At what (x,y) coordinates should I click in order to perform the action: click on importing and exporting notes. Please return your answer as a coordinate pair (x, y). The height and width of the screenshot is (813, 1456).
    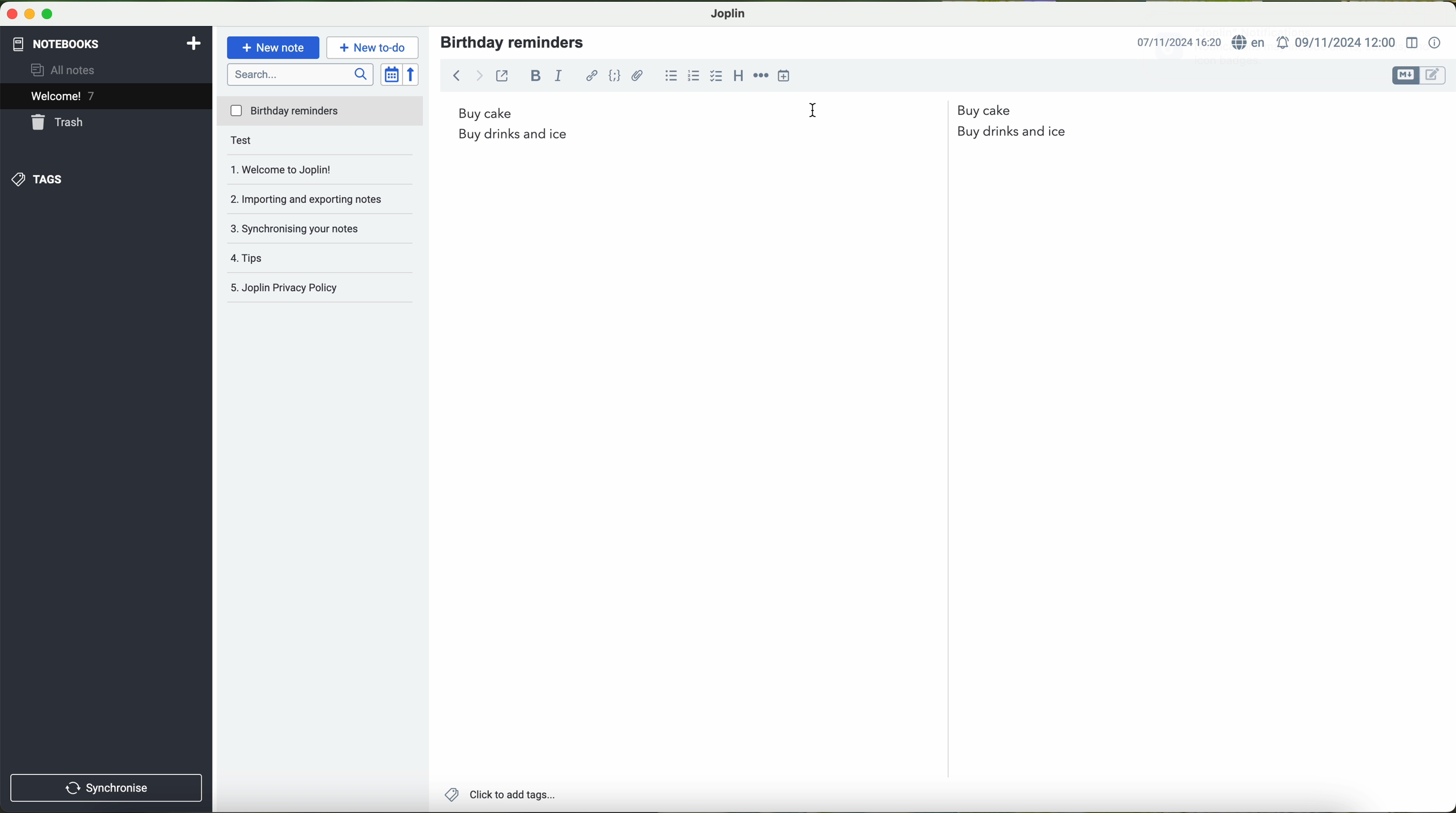
    Looking at the image, I should click on (312, 196).